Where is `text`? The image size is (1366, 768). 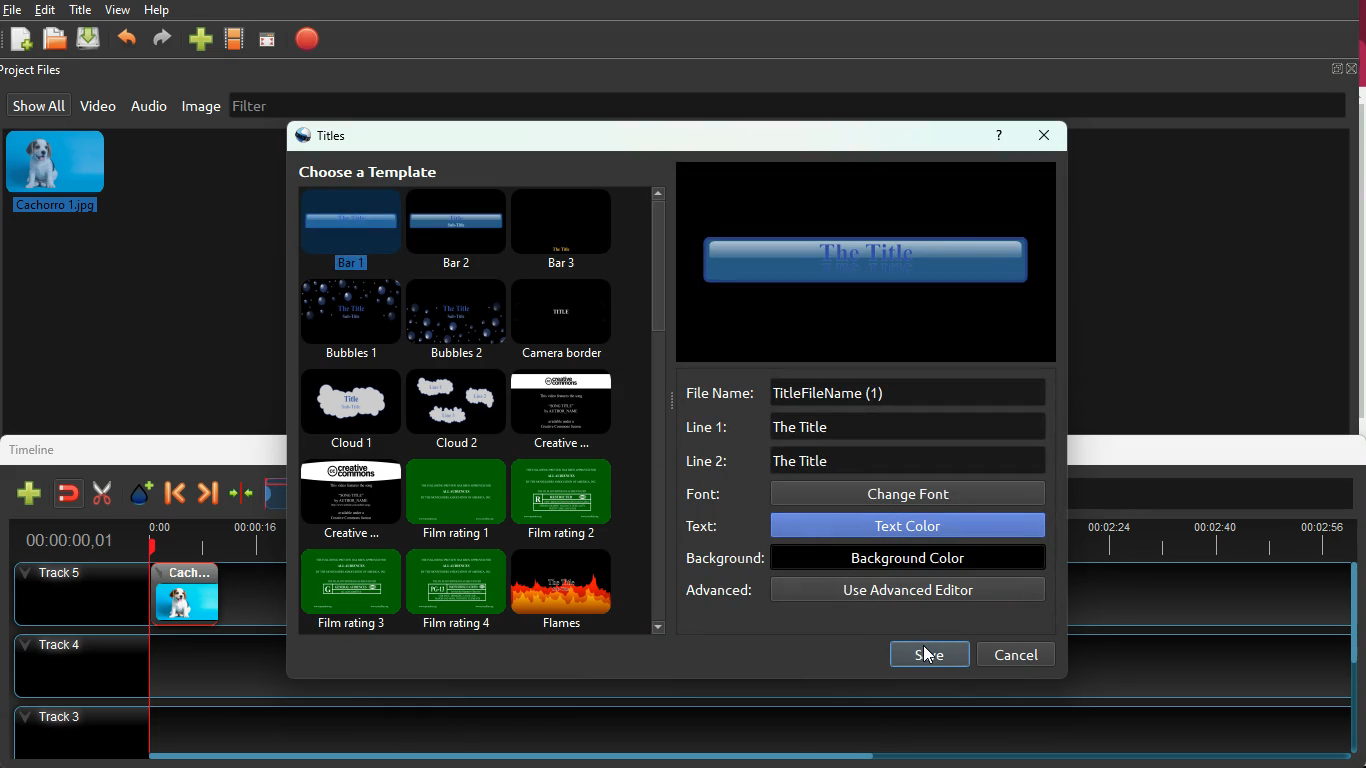
text is located at coordinates (863, 526).